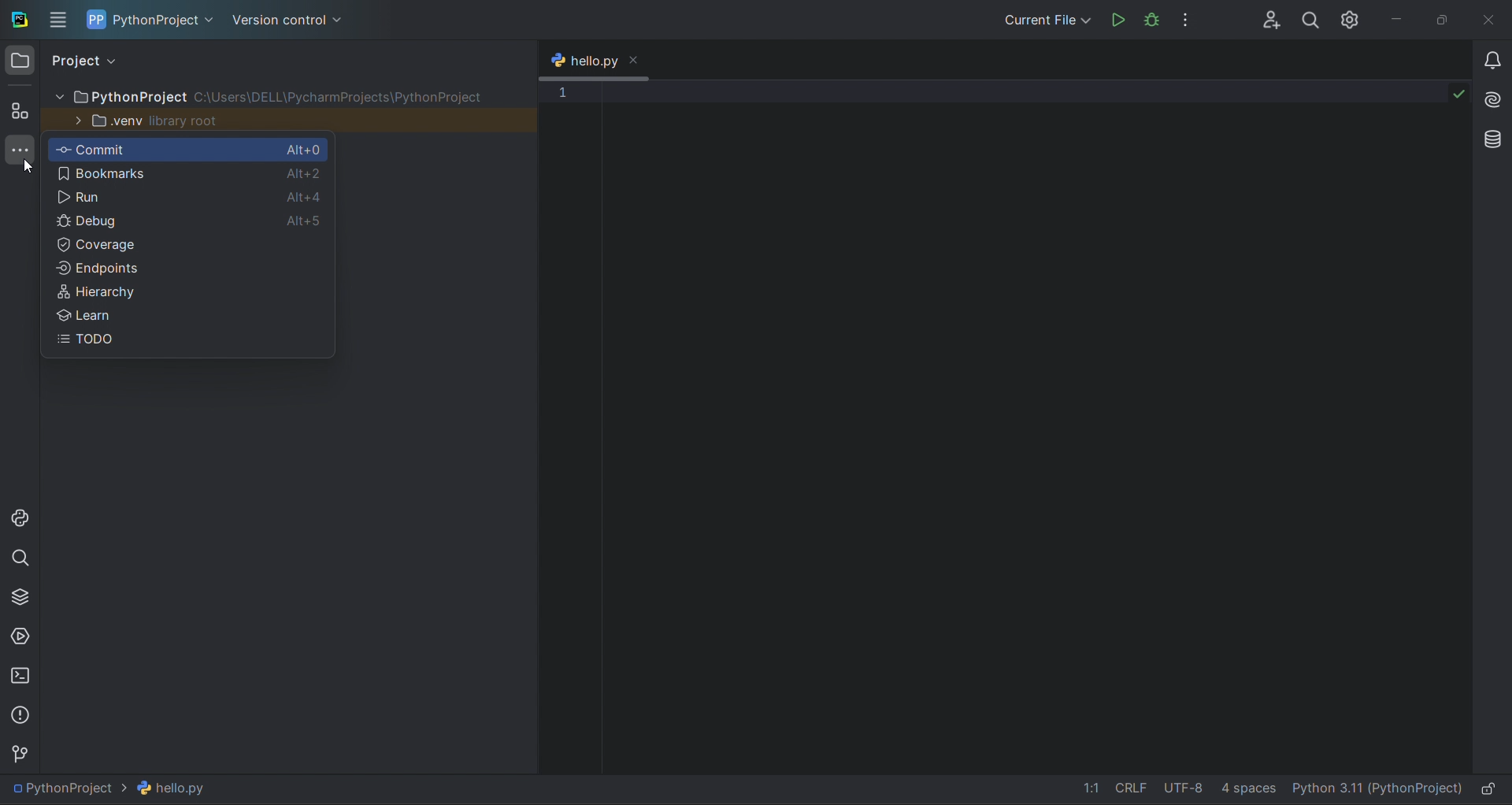  I want to click on search, so click(1310, 20).